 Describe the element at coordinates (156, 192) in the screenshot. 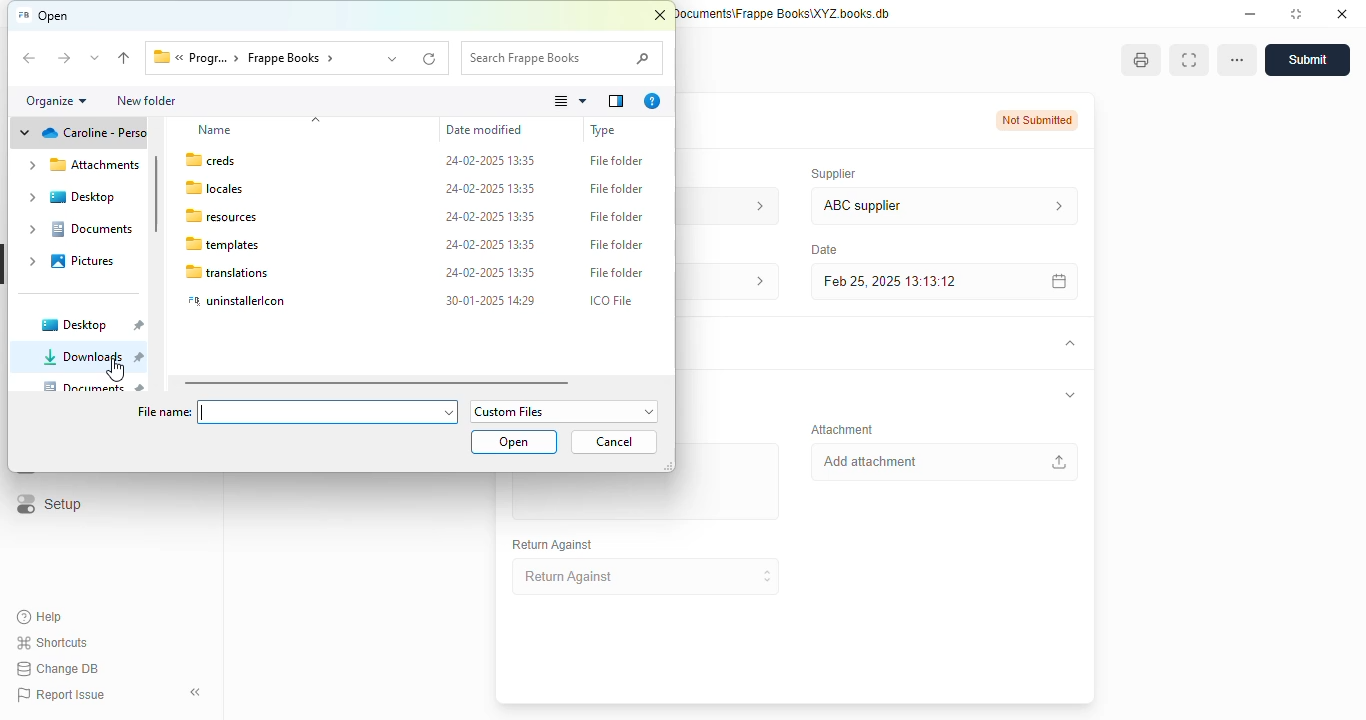

I see `scroll bar` at that location.